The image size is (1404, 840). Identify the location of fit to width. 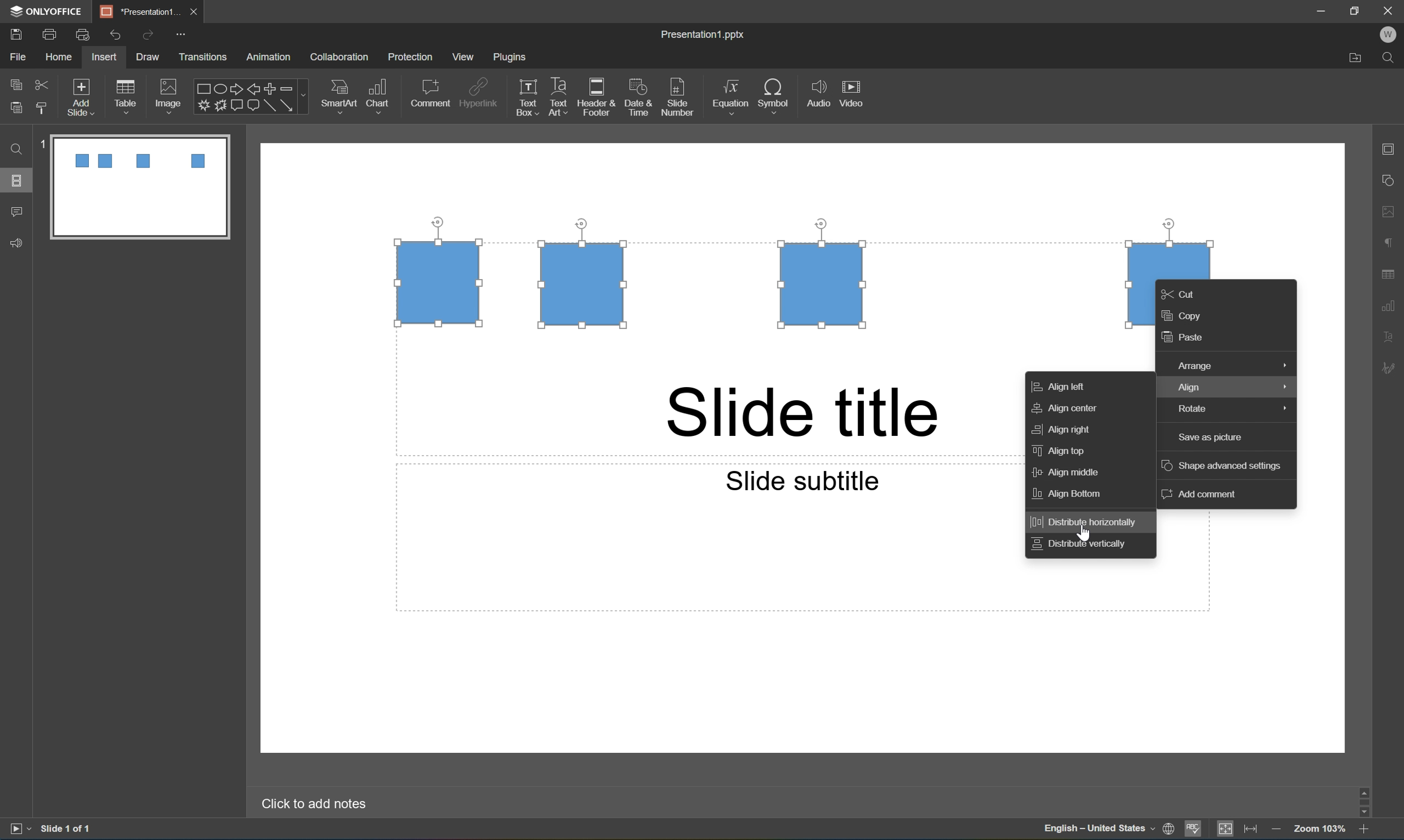
(1251, 831).